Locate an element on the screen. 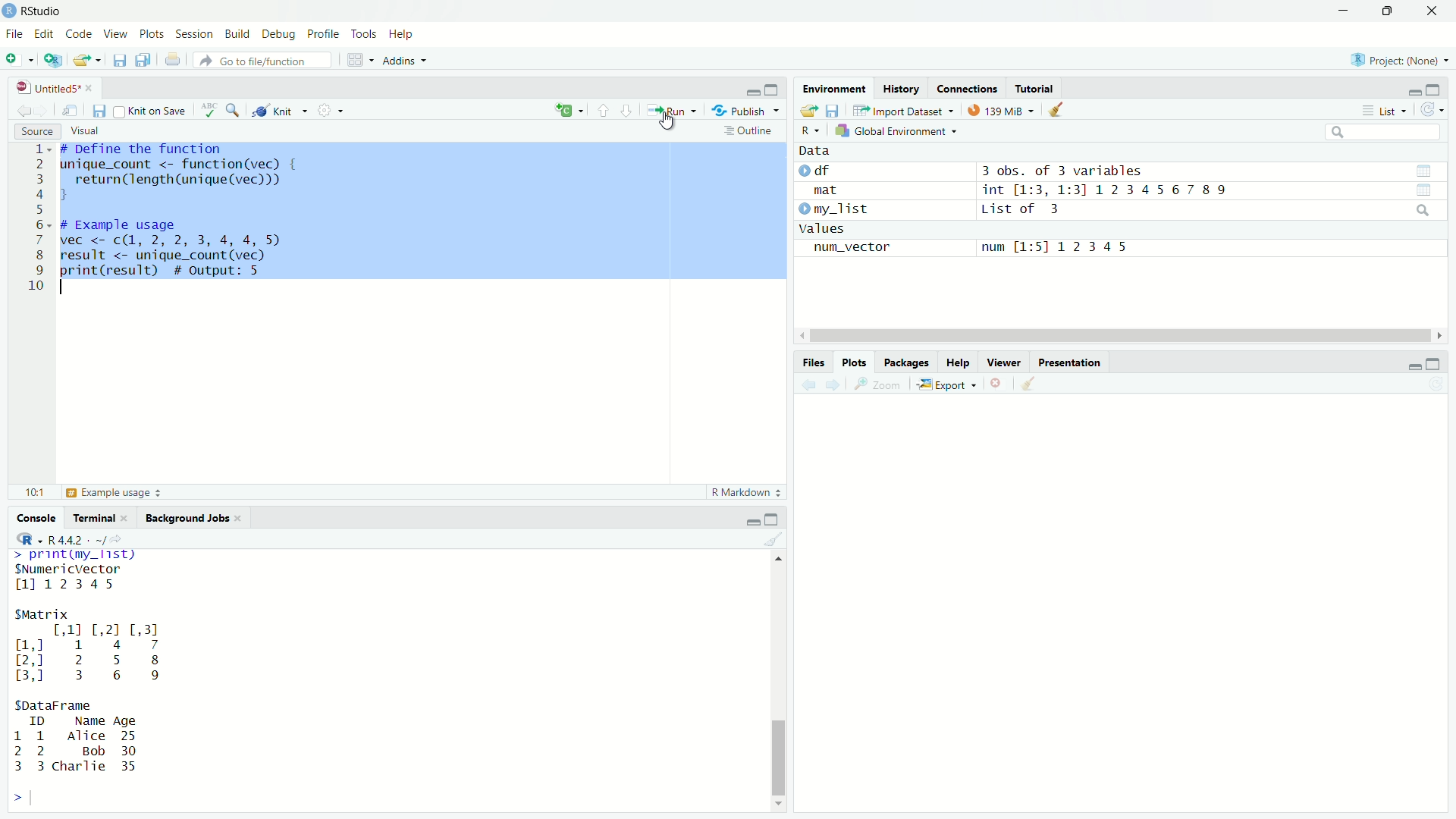 The width and height of the screenshot is (1456, 819). Plots is located at coordinates (856, 362).